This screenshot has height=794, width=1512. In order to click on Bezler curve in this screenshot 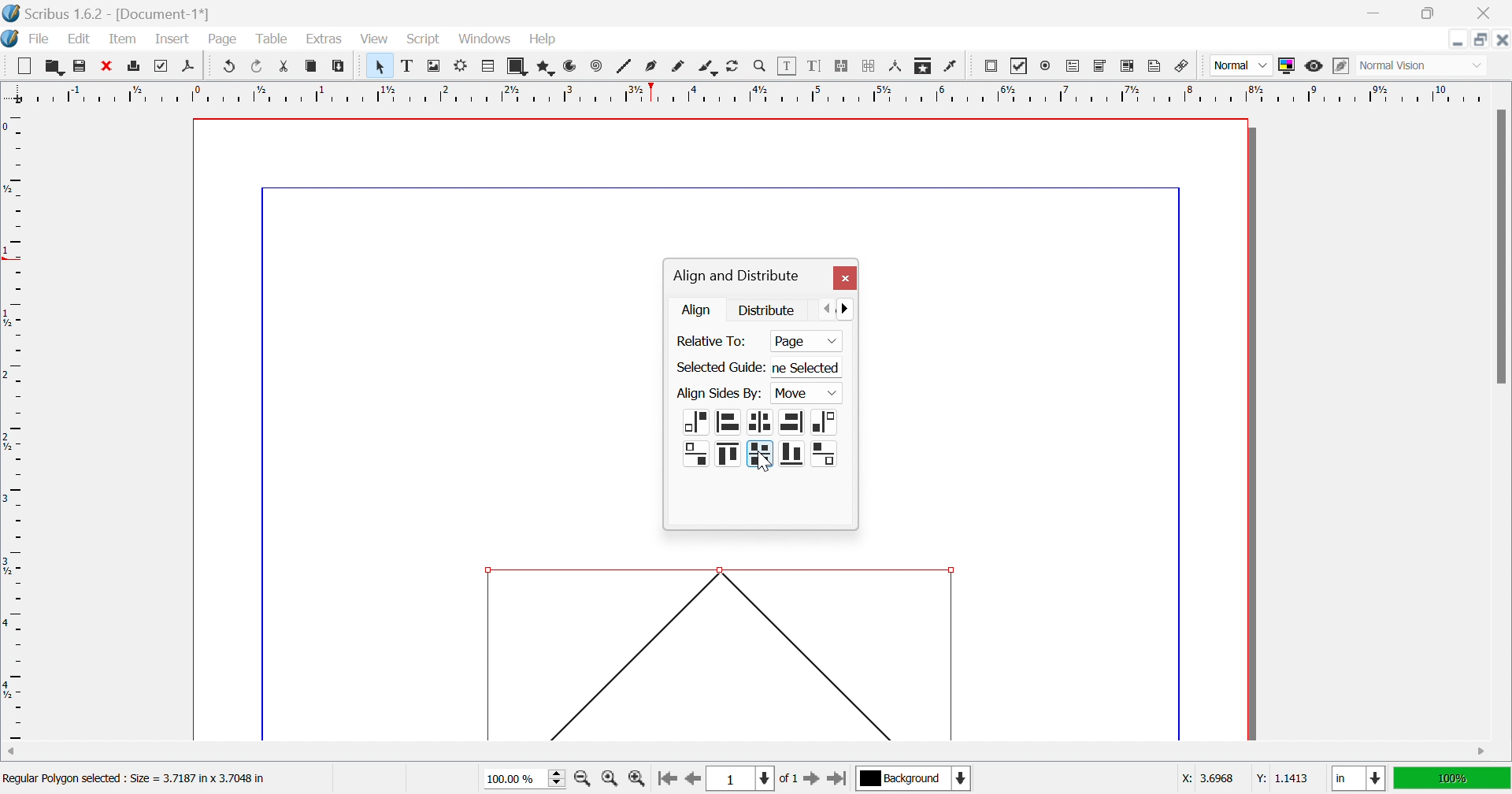, I will do `click(653, 65)`.